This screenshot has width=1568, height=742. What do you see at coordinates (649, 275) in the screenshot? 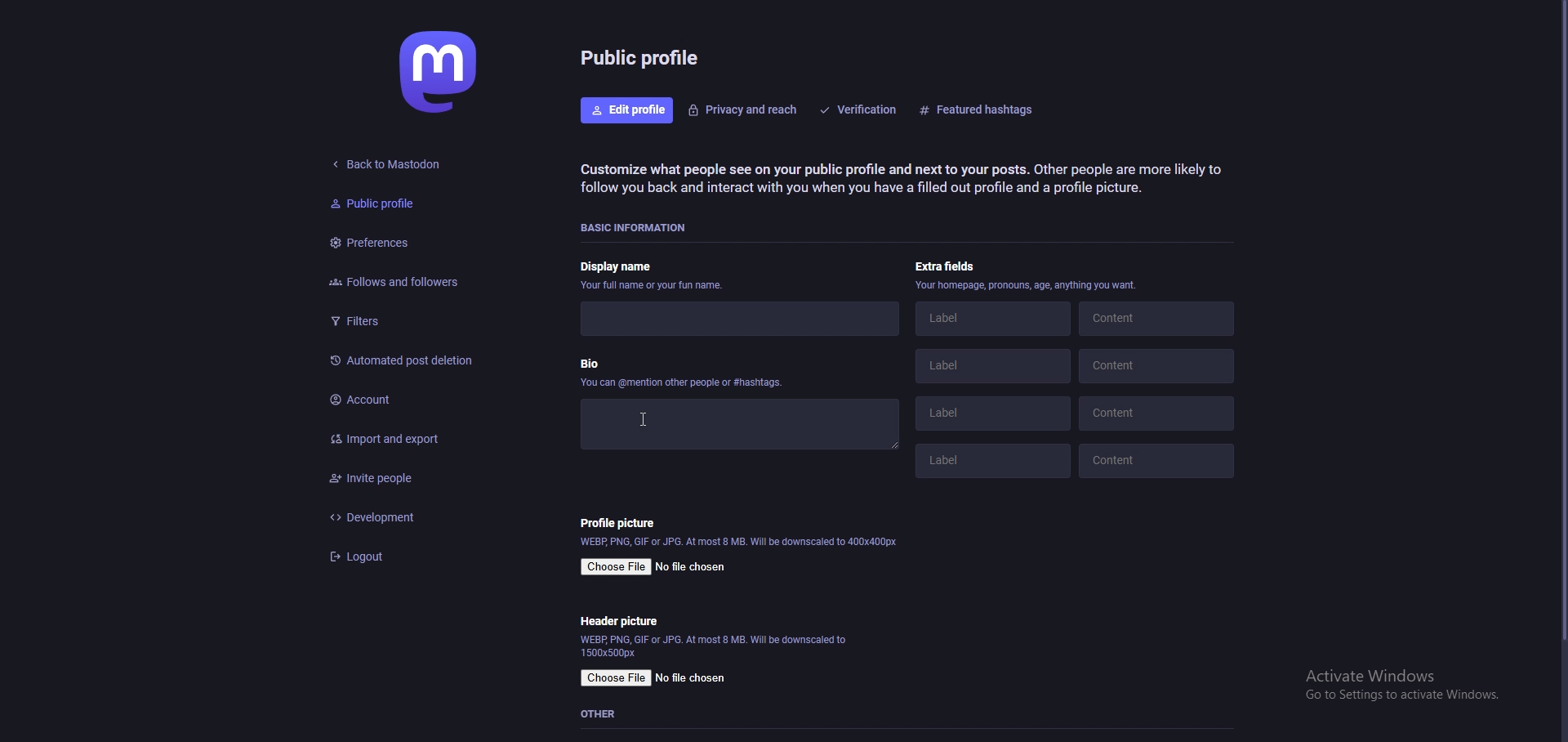
I see `display name` at bounding box center [649, 275].